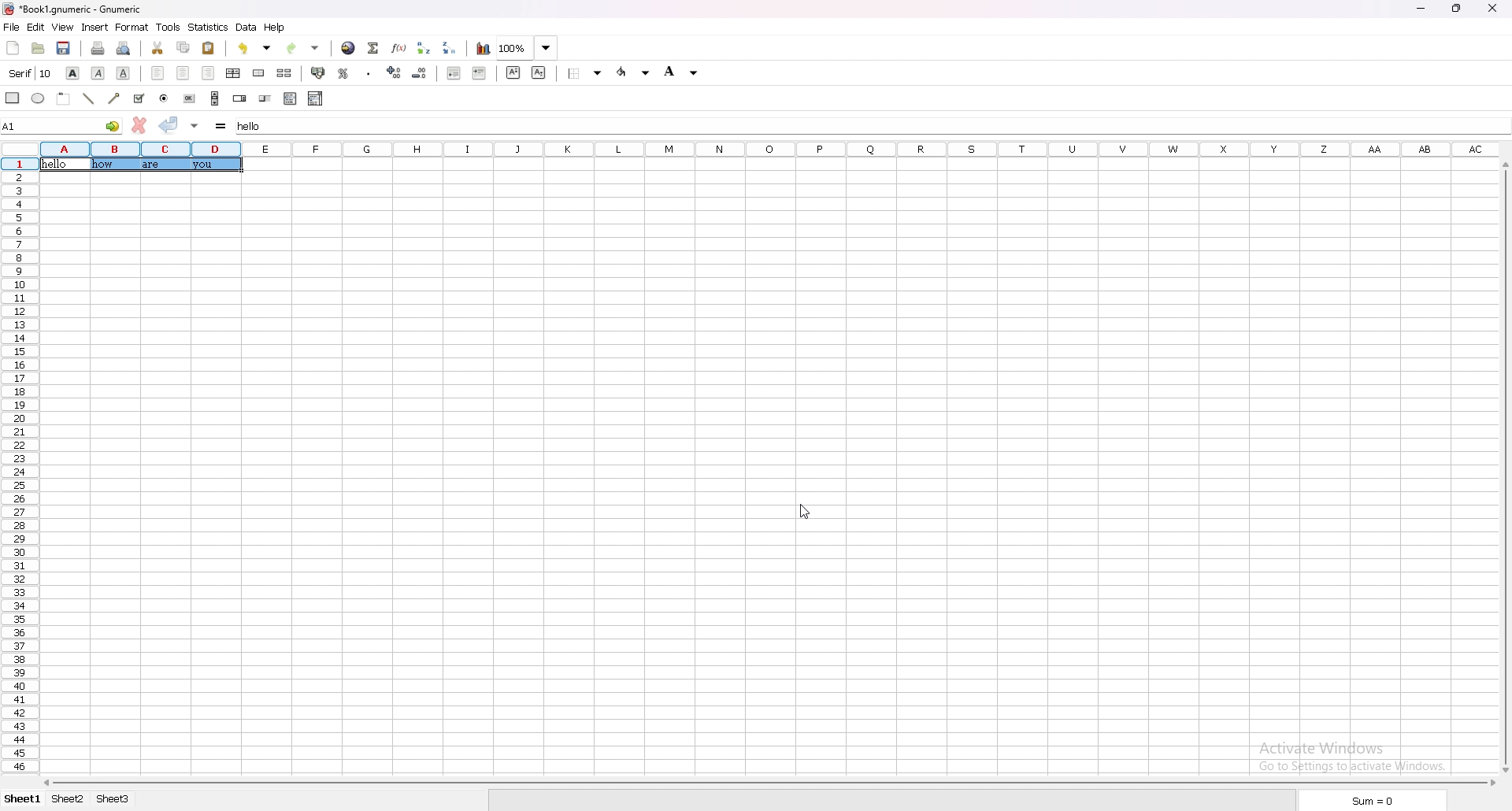 The height and width of the screenshot is (811, 1512). Describe the element at coordinates (124, 47) in the screenshot. I see `print preview` at that location.